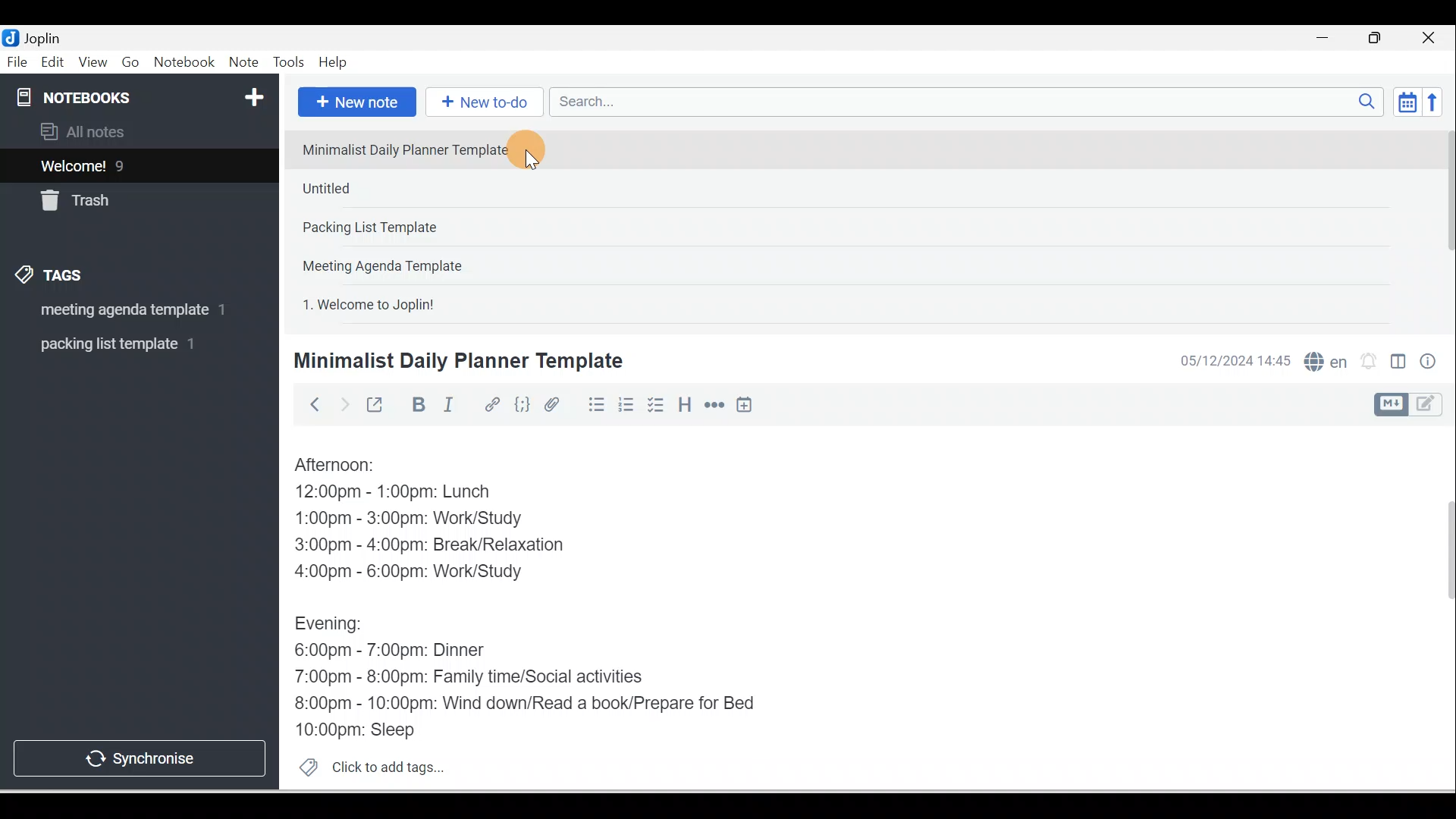 The width and height of the screenshot is (1456, 819). I want to click on Click to add tags, so click(366, 765).